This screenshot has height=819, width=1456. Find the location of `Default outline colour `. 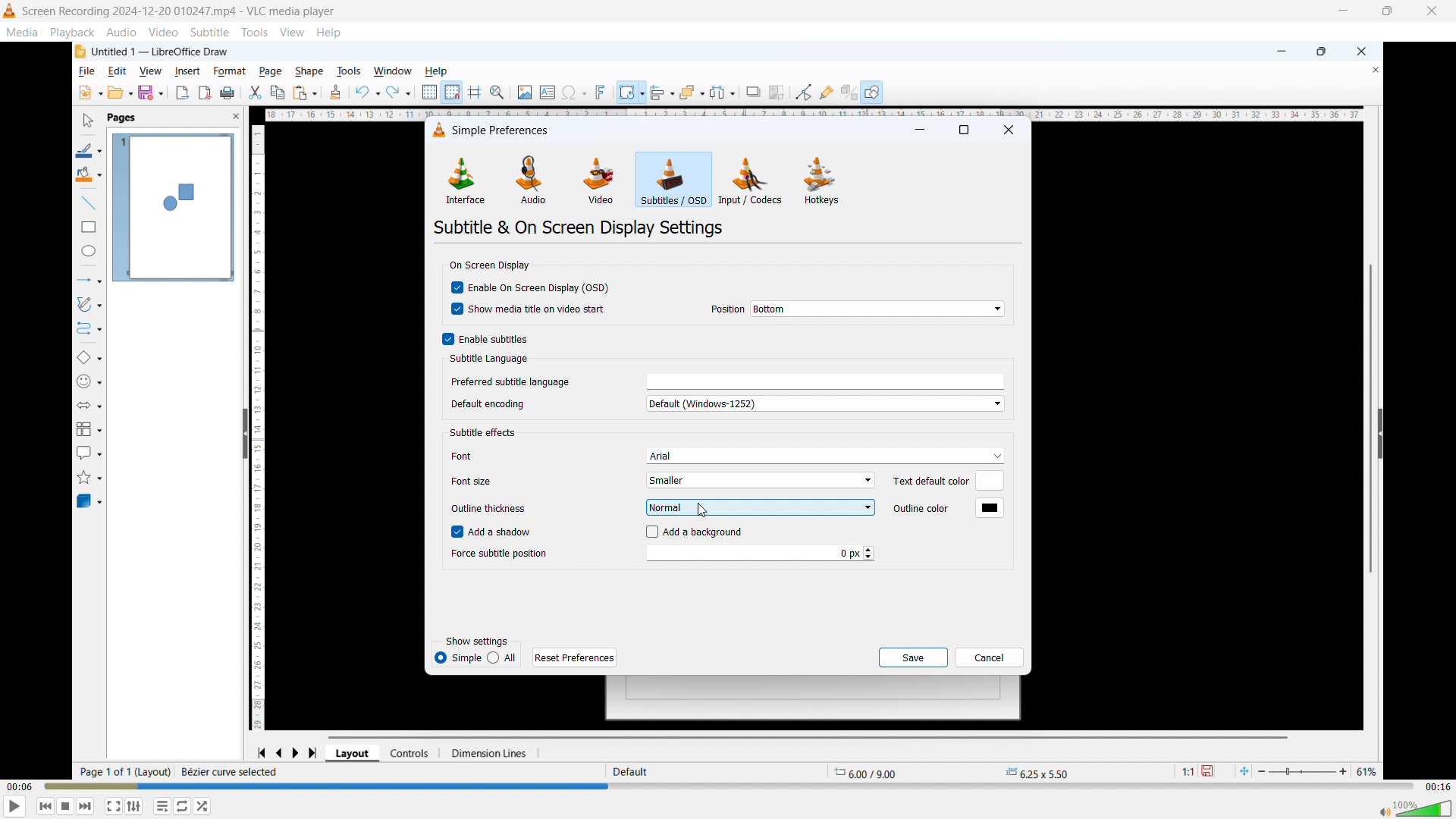

Default outline colour  is located at coordinates (990, 508).